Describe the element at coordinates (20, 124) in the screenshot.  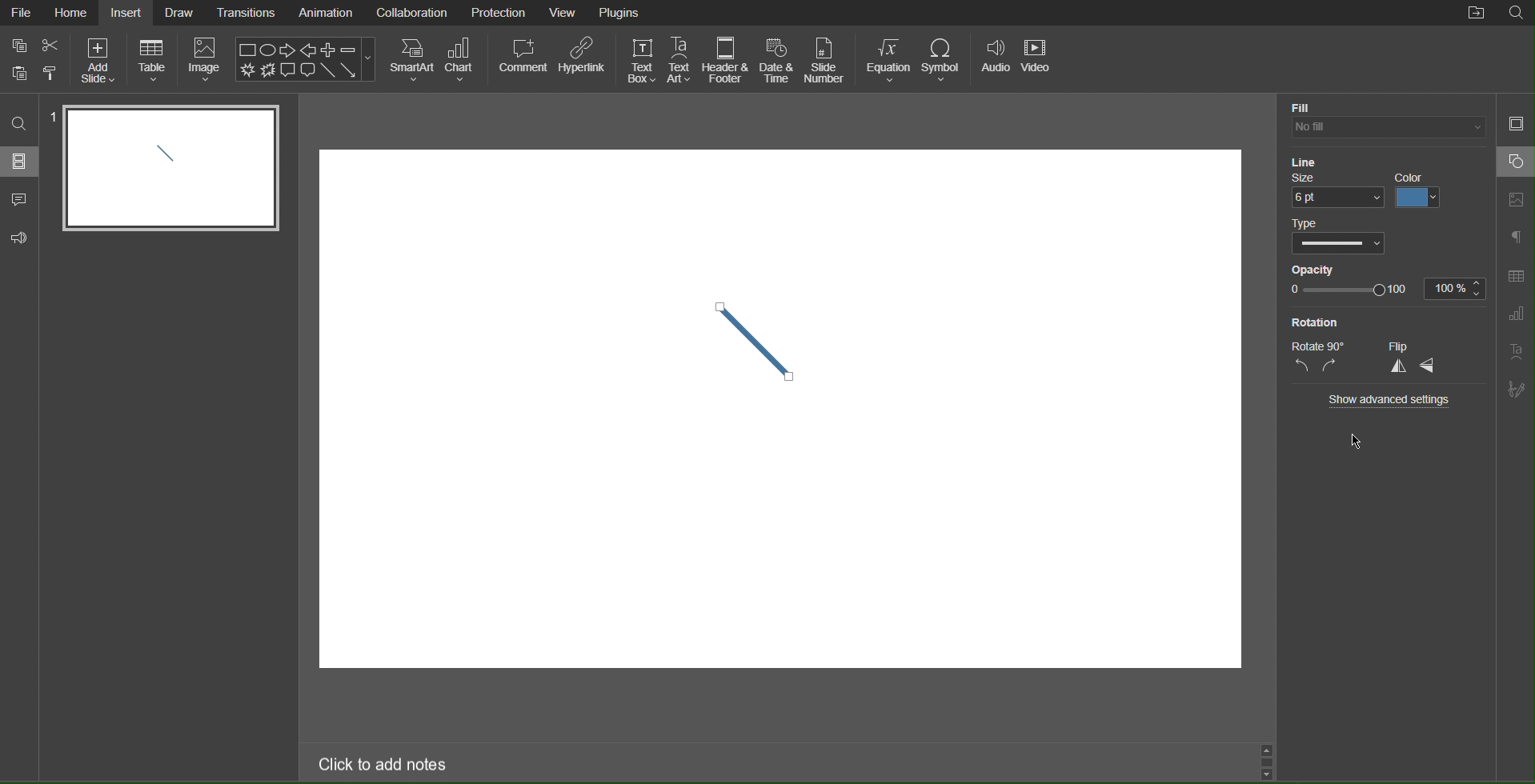
I see `Search` at that location.